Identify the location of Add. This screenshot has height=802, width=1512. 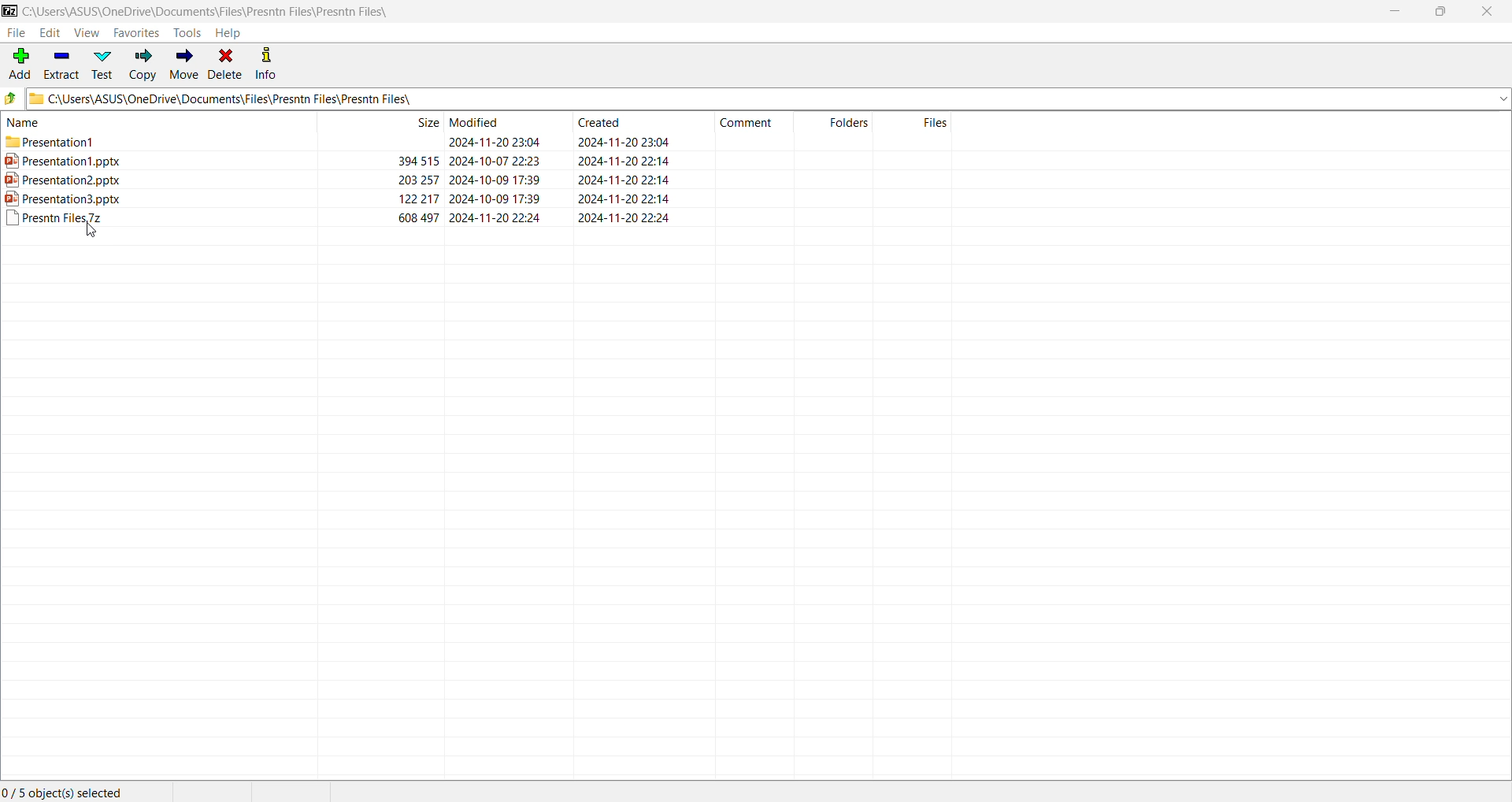
(19, 65).